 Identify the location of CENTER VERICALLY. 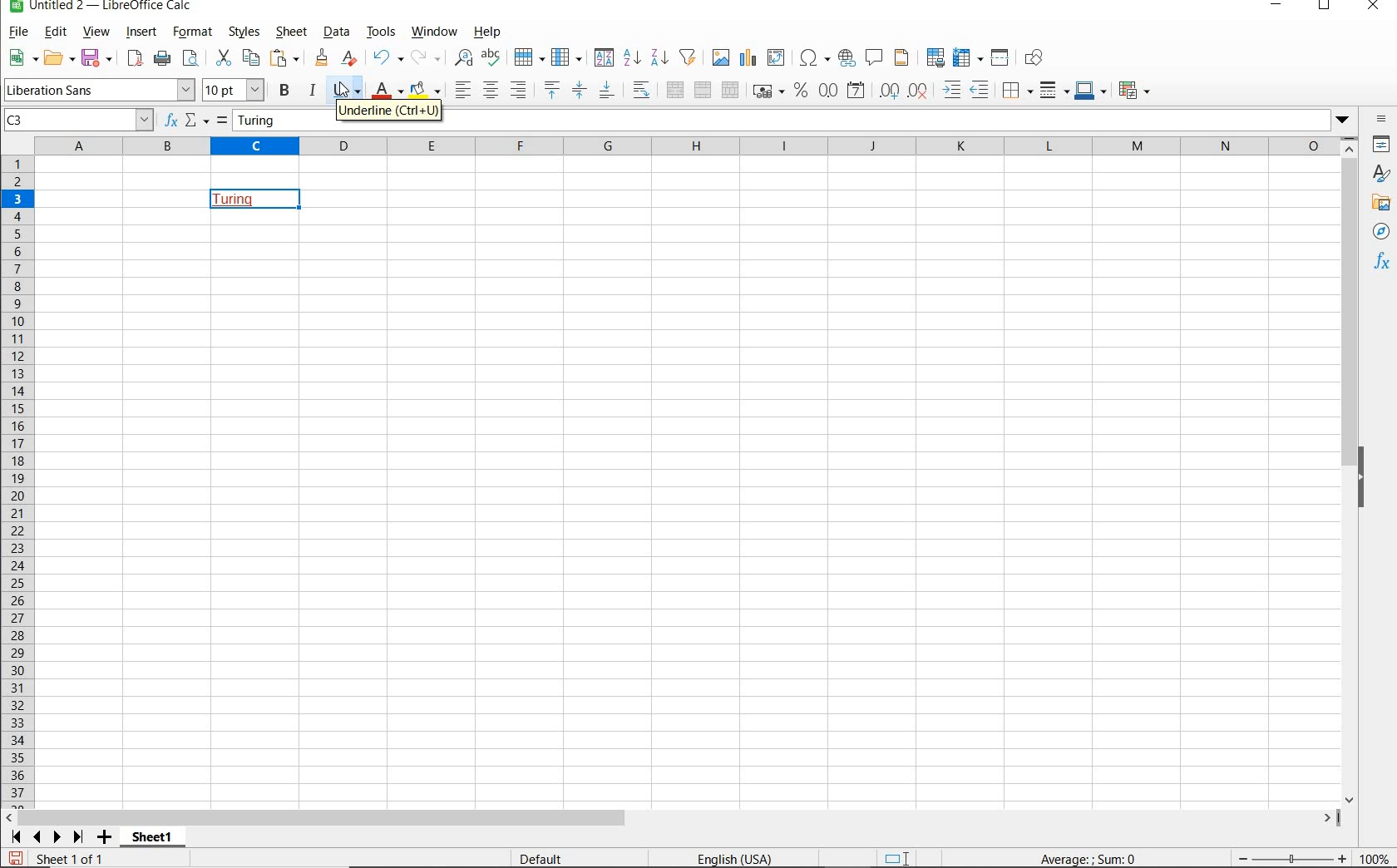
(580, 92).